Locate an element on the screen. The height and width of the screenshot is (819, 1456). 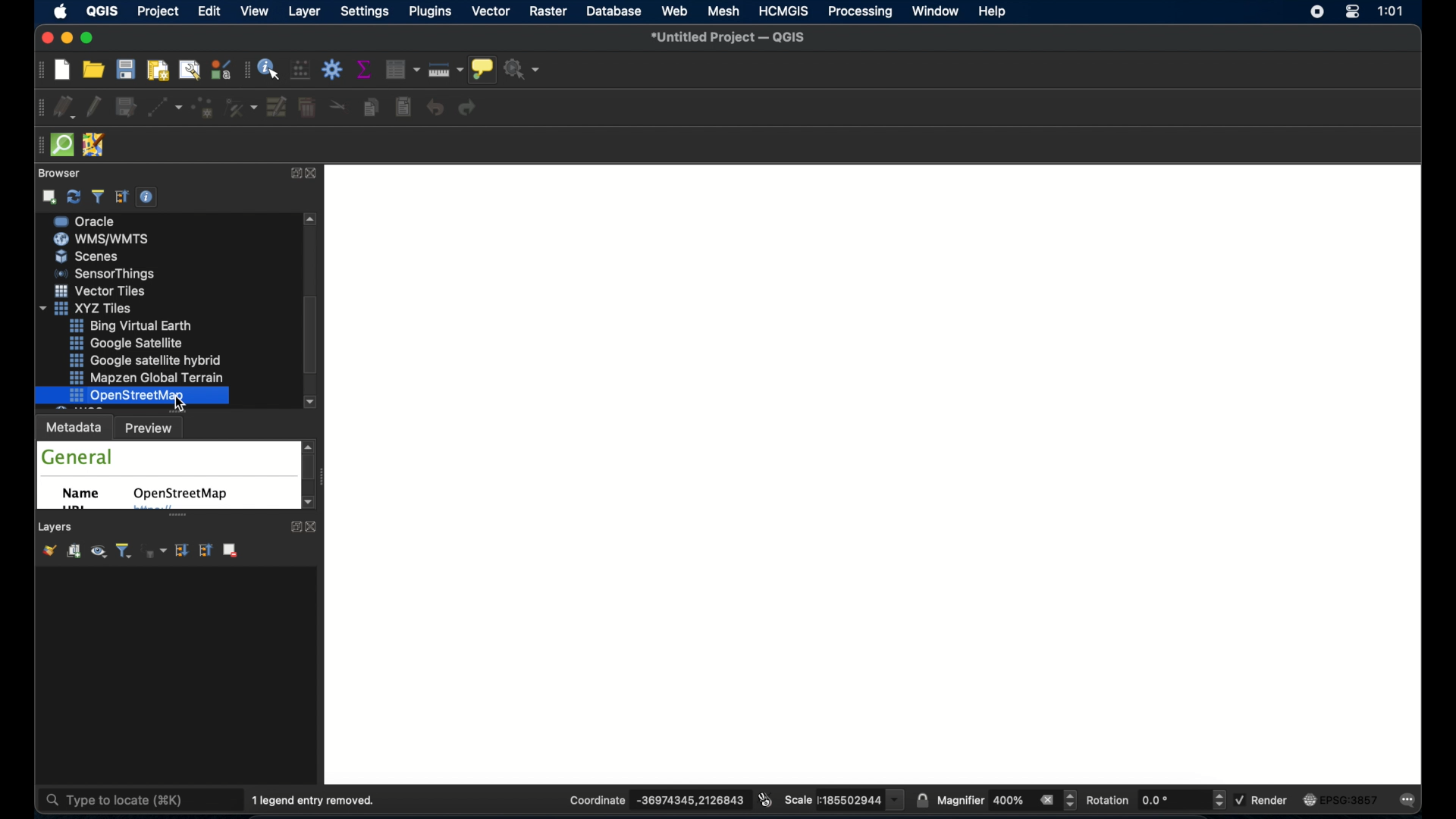
rotation is located at coordinates (1157, 800).